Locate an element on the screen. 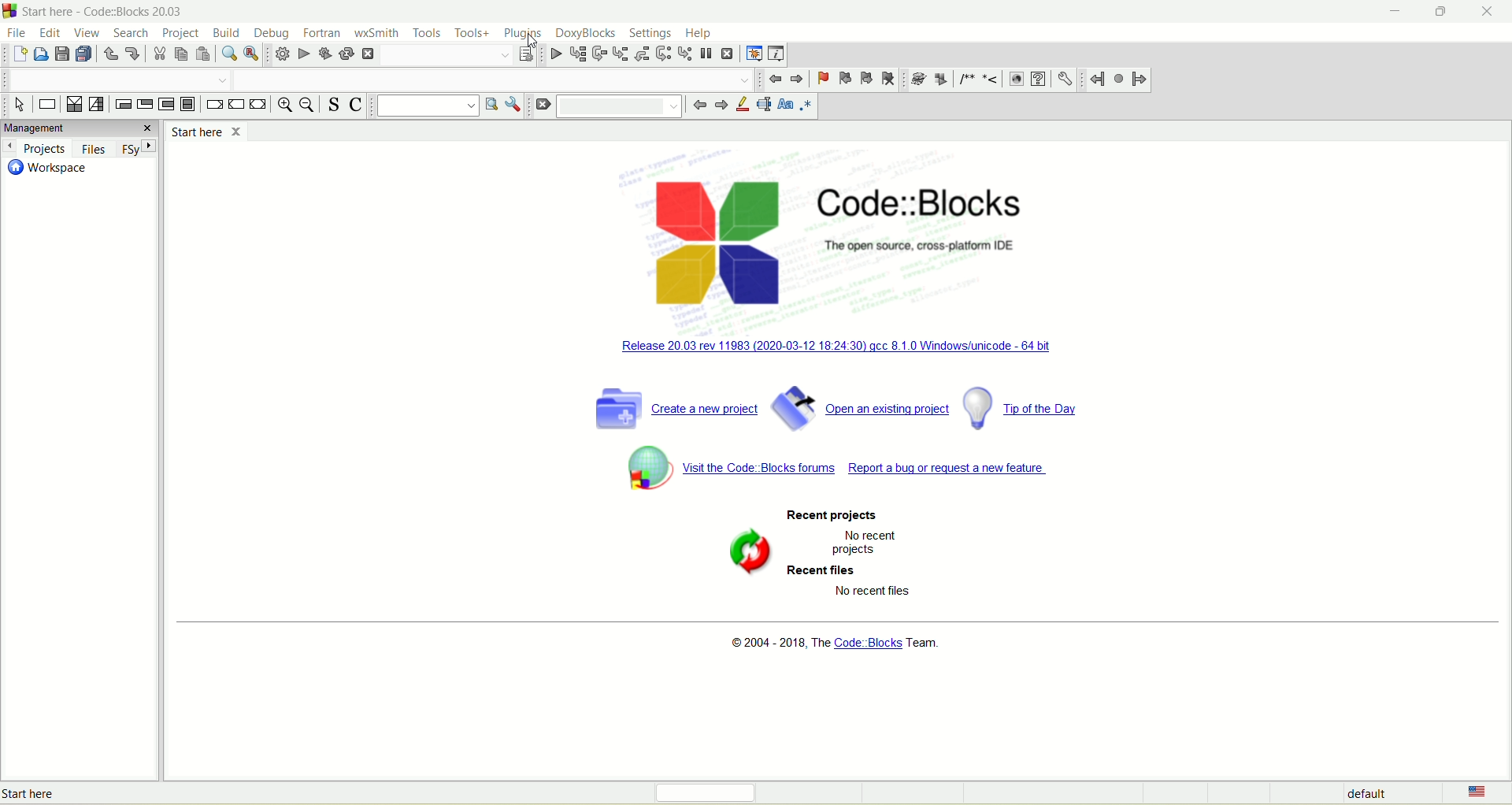 Image resolution: width=1512 pixels, height=805 pixels. selected text is located at coordinates (764, 106).